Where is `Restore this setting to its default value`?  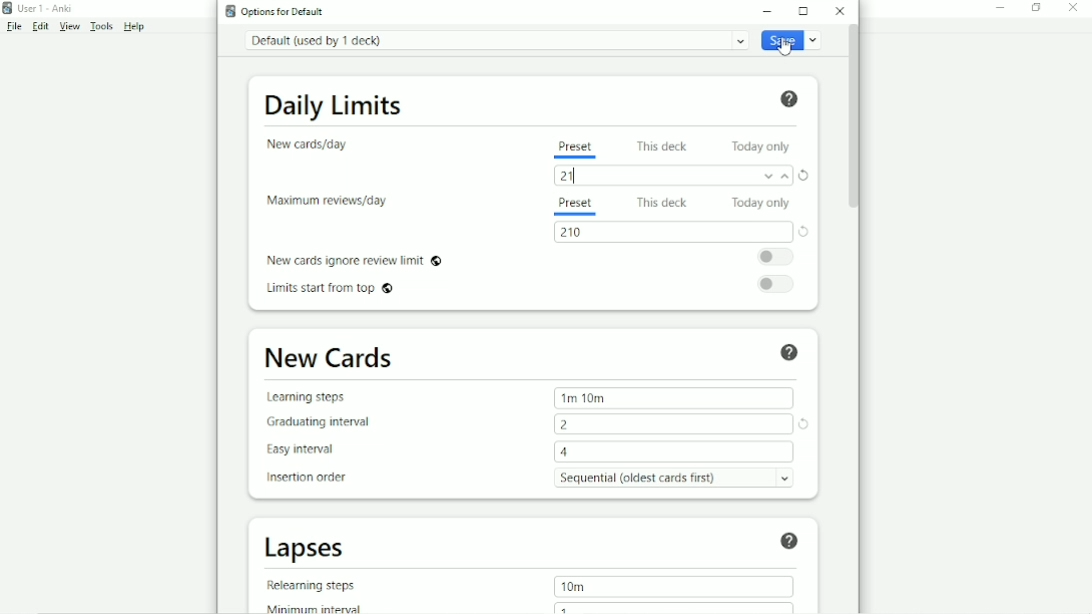
Restore this setting to its default value is located at coordinates (805, 424).